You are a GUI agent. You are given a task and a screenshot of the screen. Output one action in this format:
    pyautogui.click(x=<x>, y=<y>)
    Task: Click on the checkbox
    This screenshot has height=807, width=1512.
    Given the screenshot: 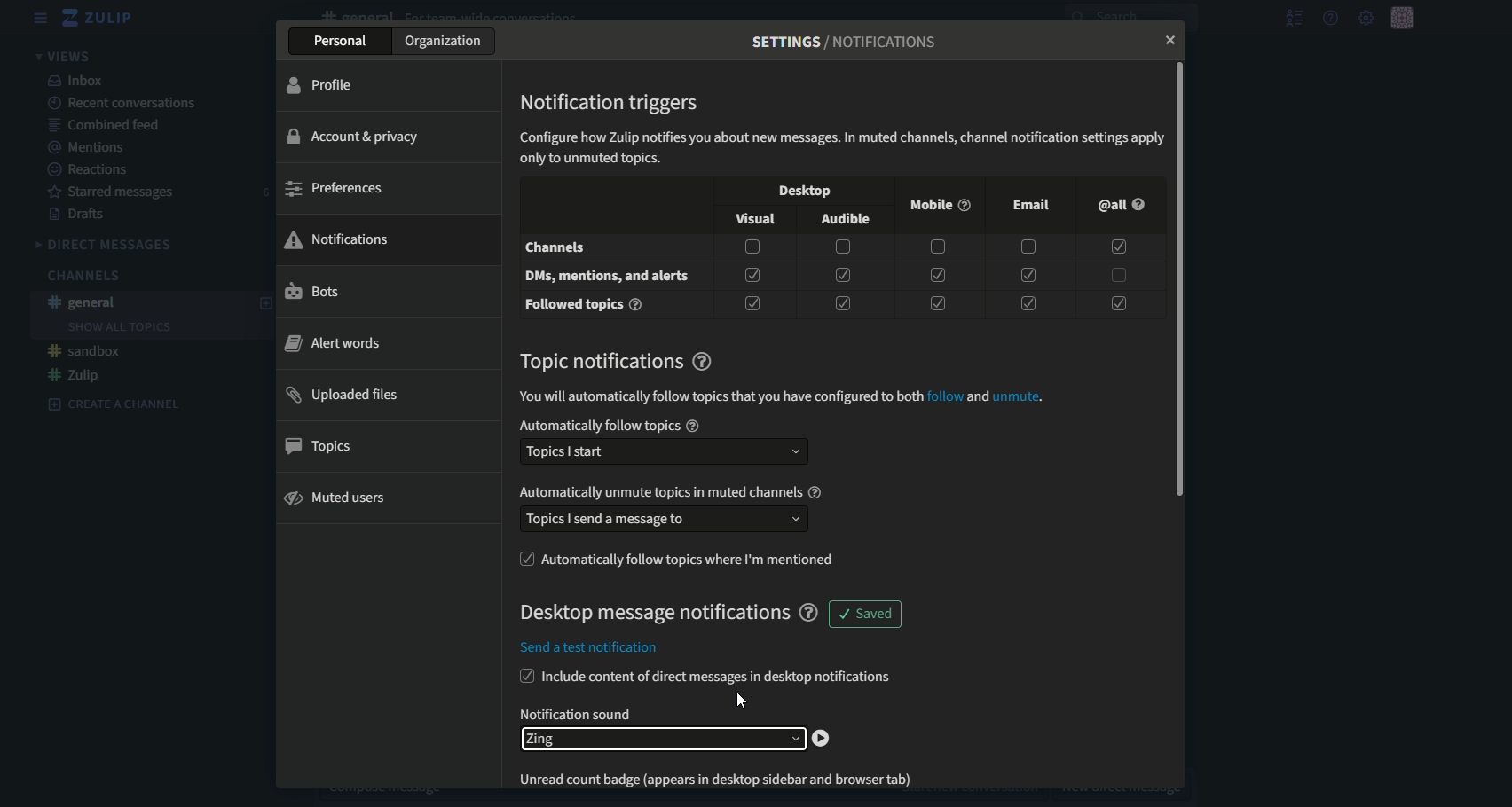 What is the action you would take?
    pyautogui.click(x=843, y=247)
    